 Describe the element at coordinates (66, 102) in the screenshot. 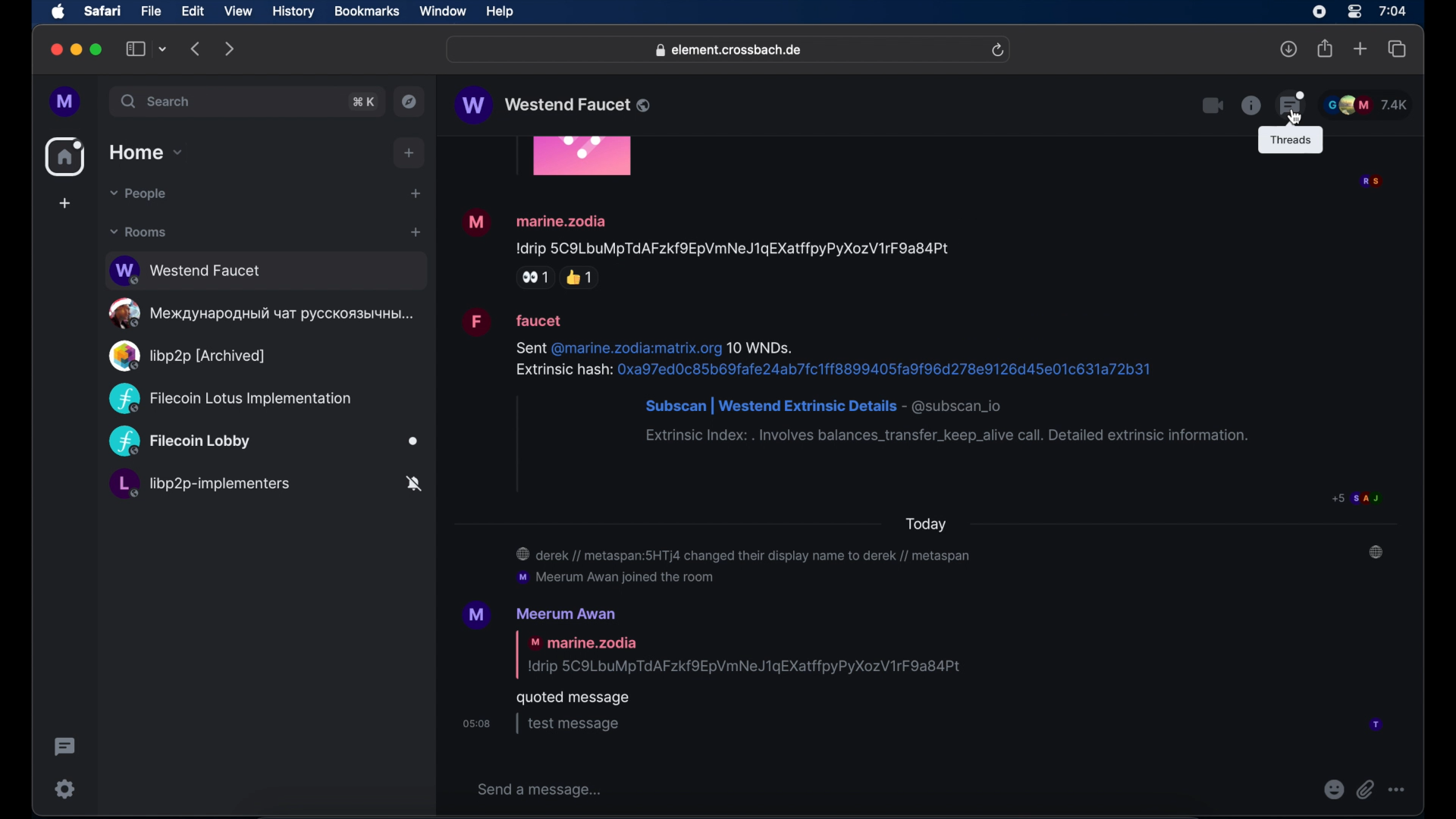

I see `profile` at that location.